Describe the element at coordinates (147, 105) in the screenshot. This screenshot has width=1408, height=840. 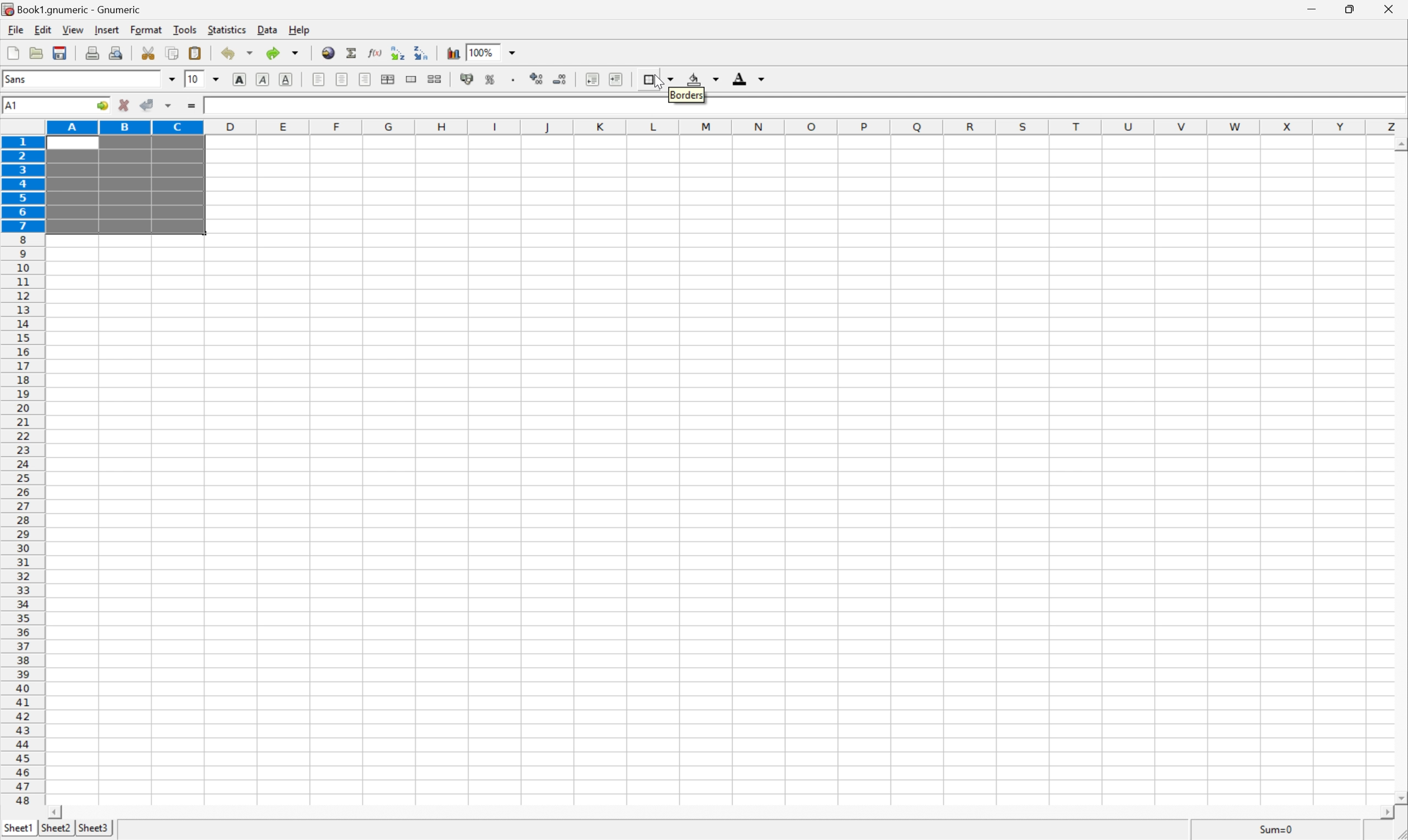
I see `accept change` at that location.